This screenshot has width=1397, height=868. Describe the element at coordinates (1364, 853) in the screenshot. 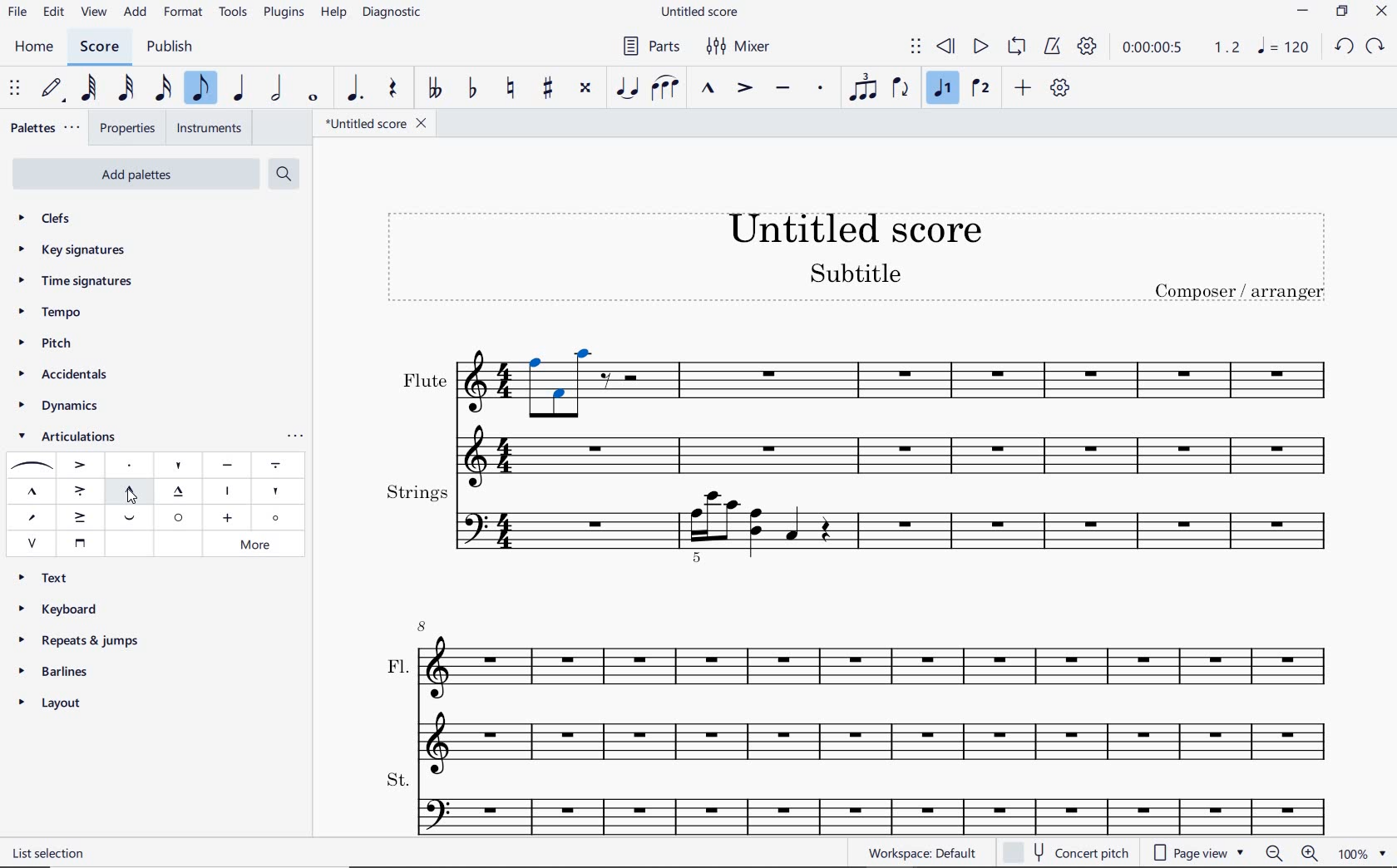

I see `zoom factor` at that location.